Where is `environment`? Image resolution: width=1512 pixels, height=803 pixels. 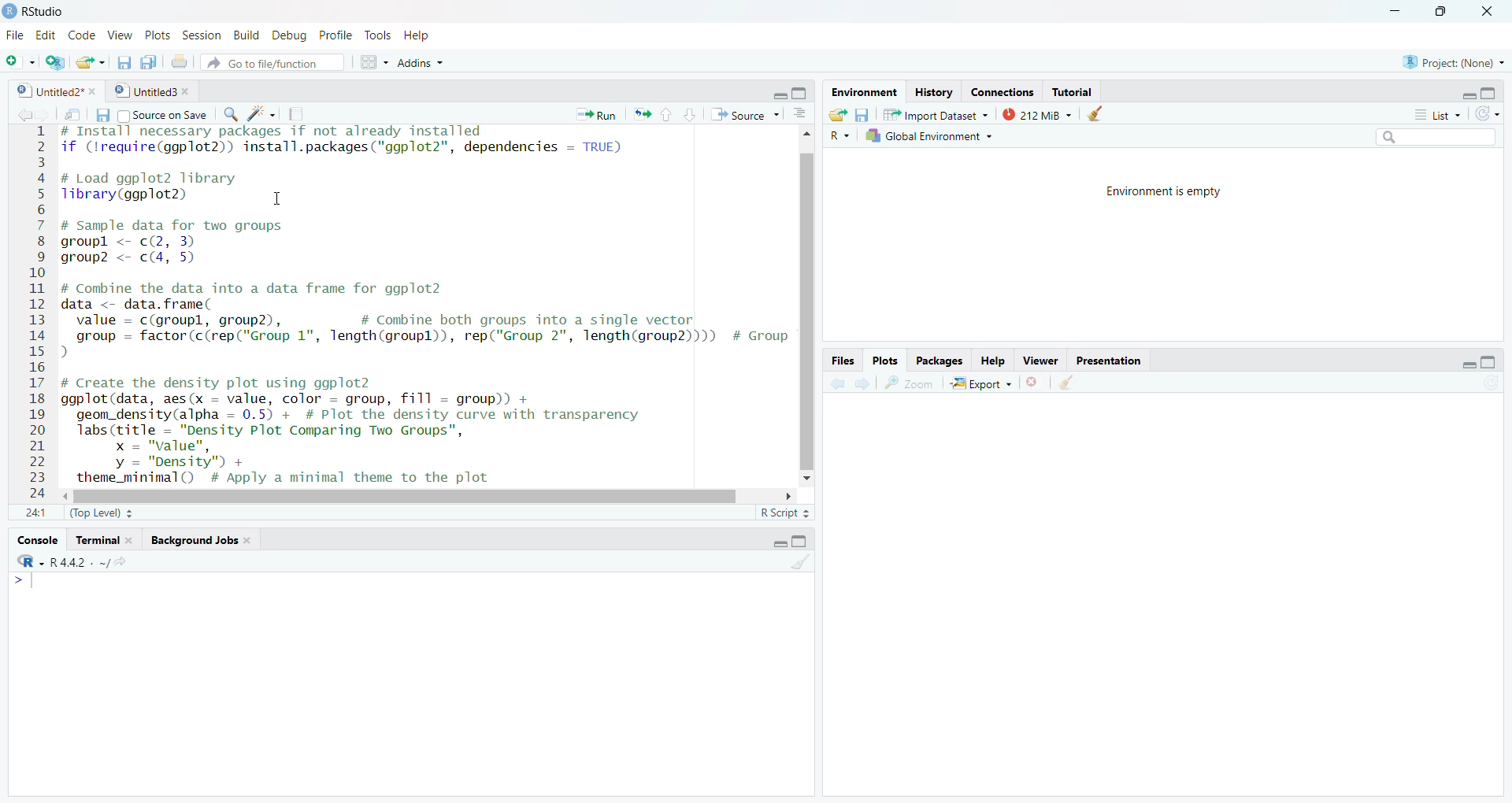
environment is located at coordinates (859, 92).